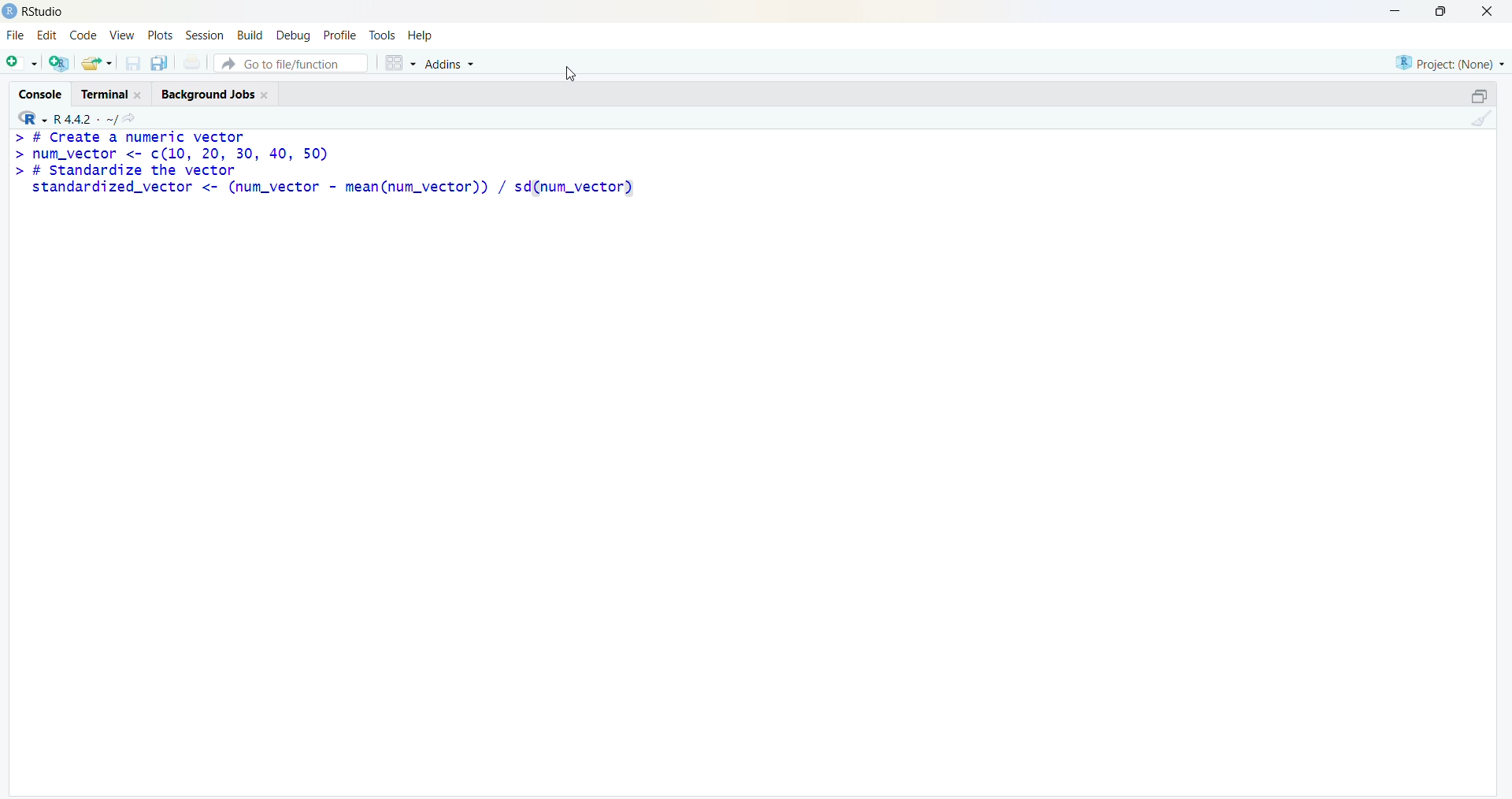  Describe the element at coordinates (291, 63) in the screenshot. I see `go to file/function` at that location.